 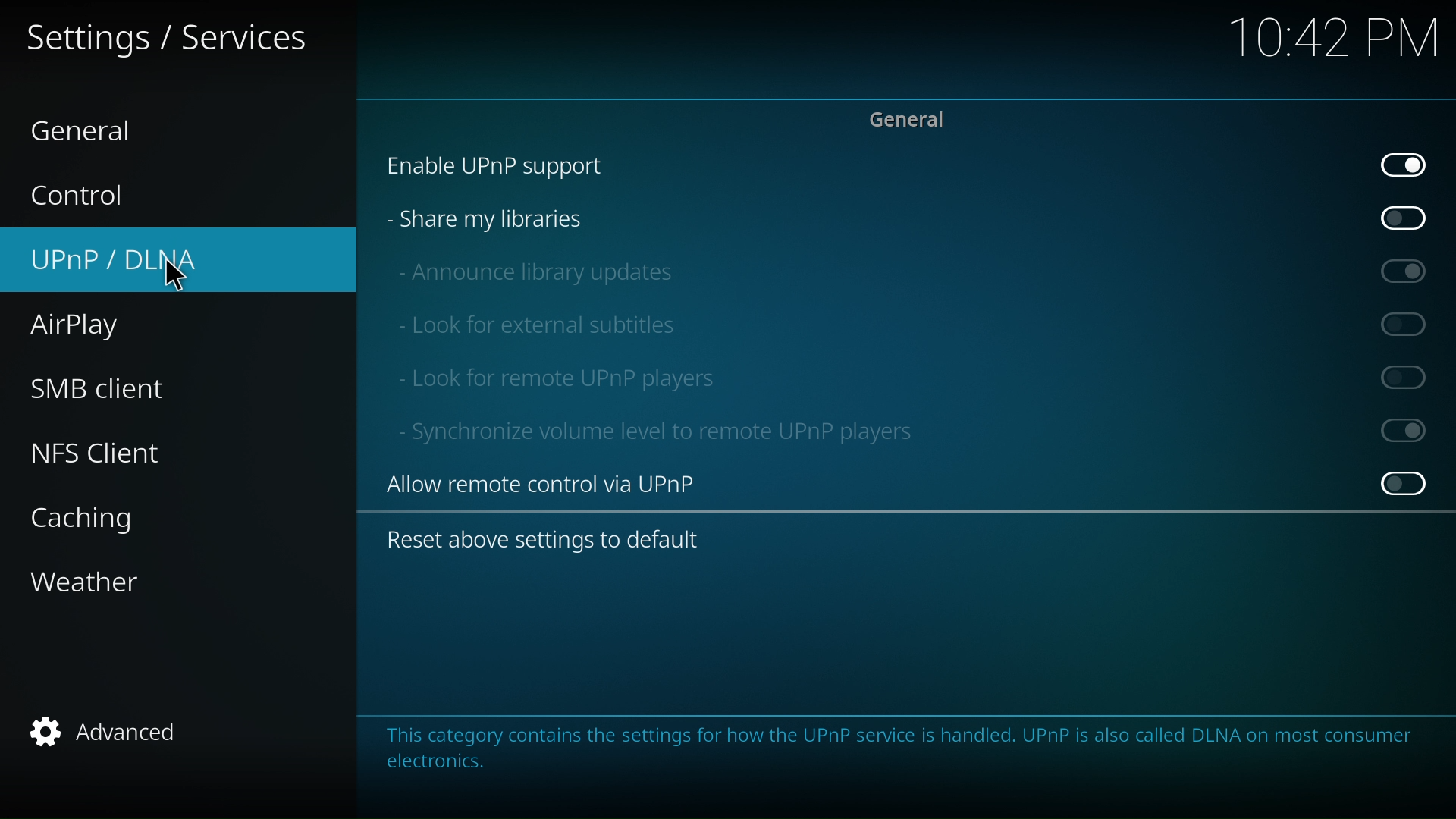 What do you see at coordinates (101, 128) in the screenshot?
I see `general` at bounding box center [101, 128].